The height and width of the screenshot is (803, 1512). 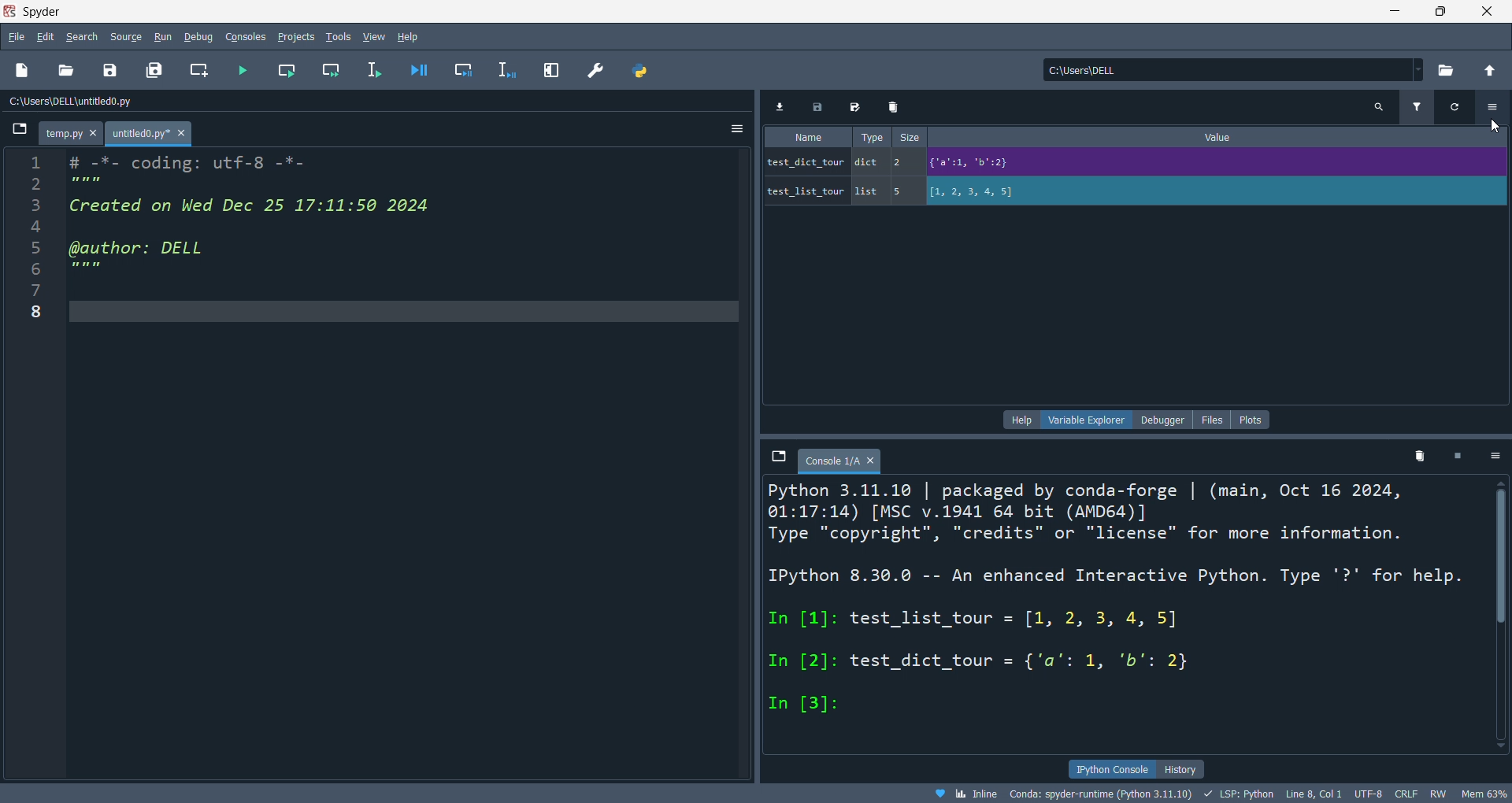 What do you see at coordinates (110, 70) in the screenshot?
I see `save` at bounding box center [110, 70].